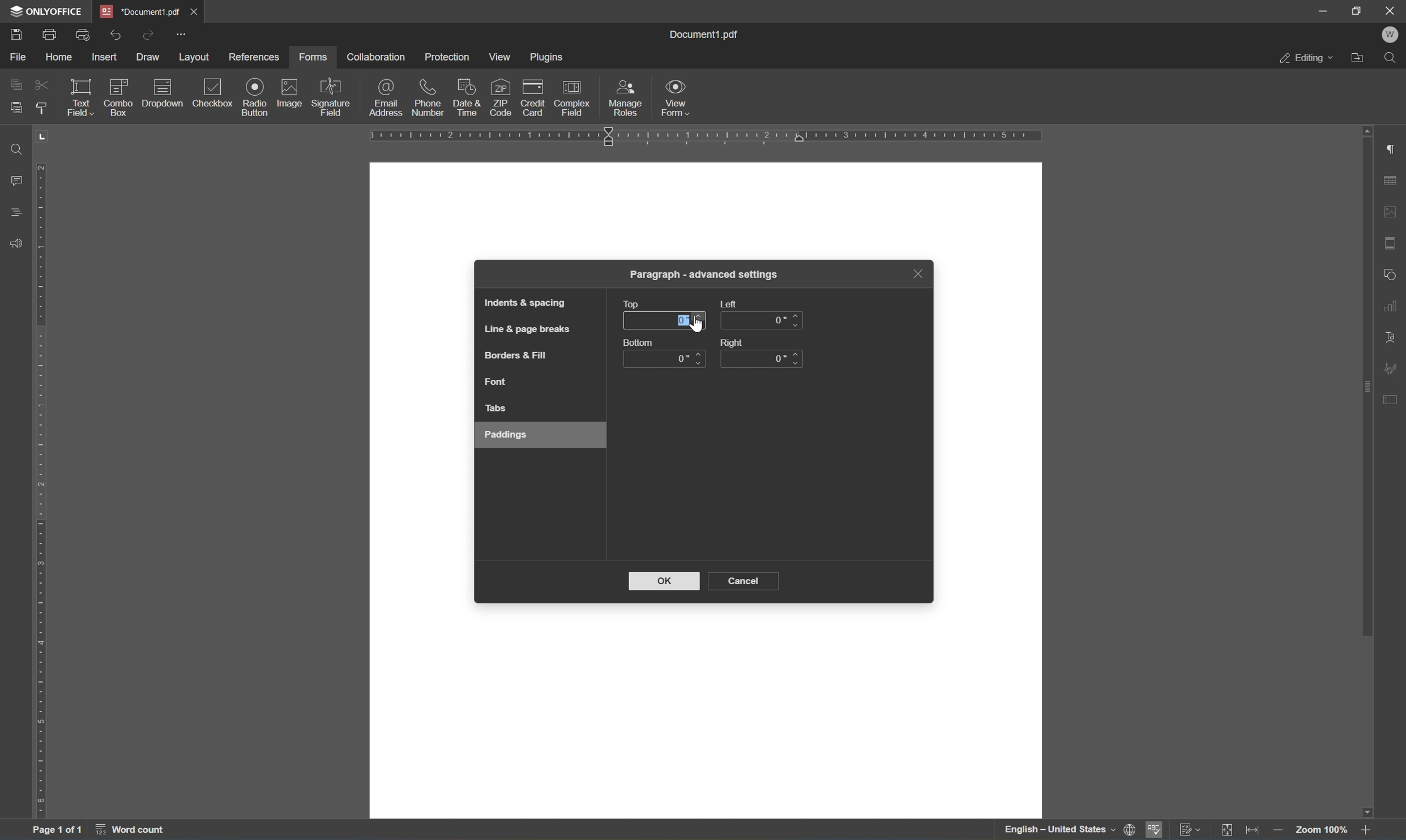  What do you see at coordinates (376, 57) in the screenshot?
I see `collaboration` at bounding box center [376, 57].